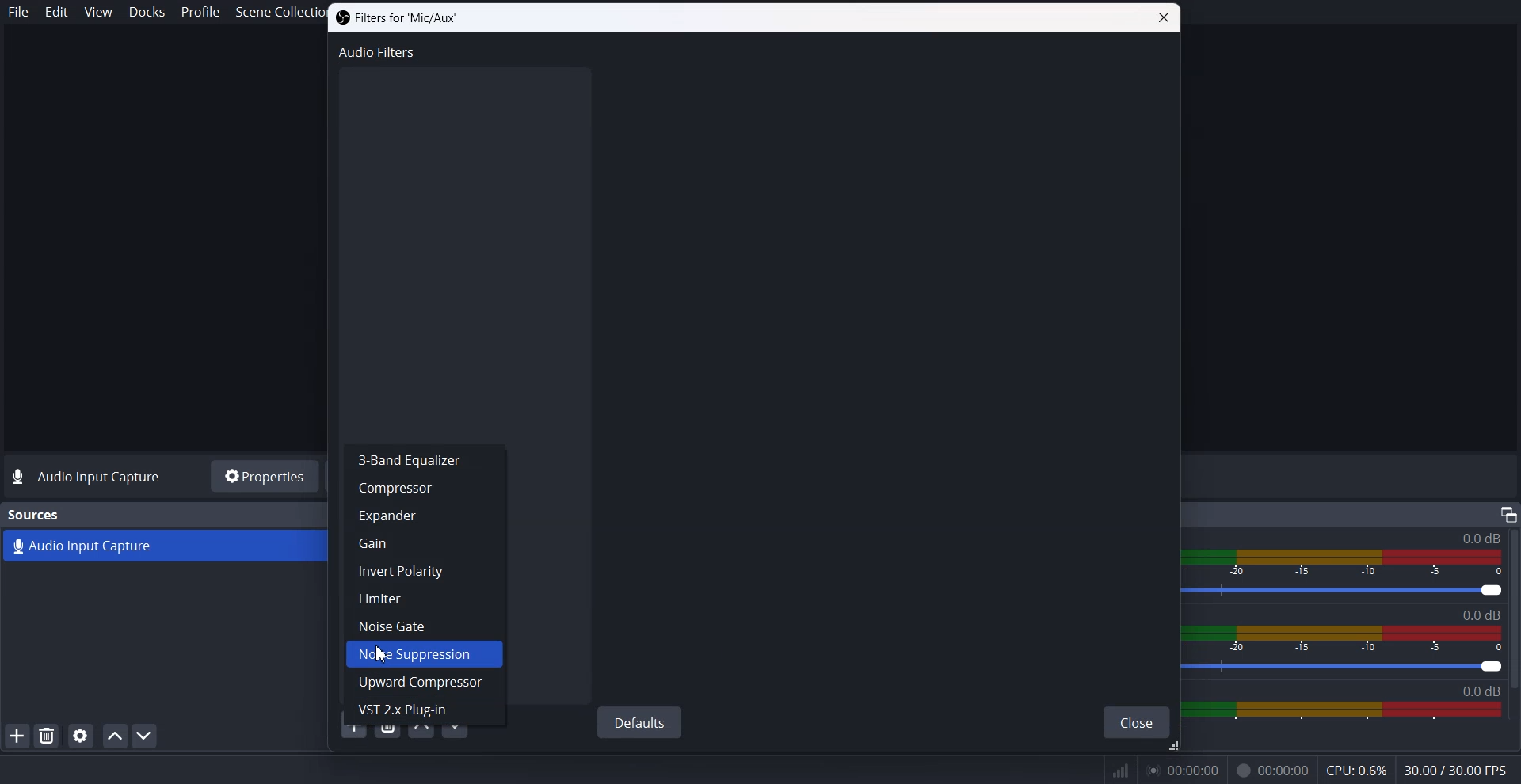  What do you see at coordinates (1354, 592) in the screenshot?
I see `Volume level adjuster` at bounding box center [1354, 592].